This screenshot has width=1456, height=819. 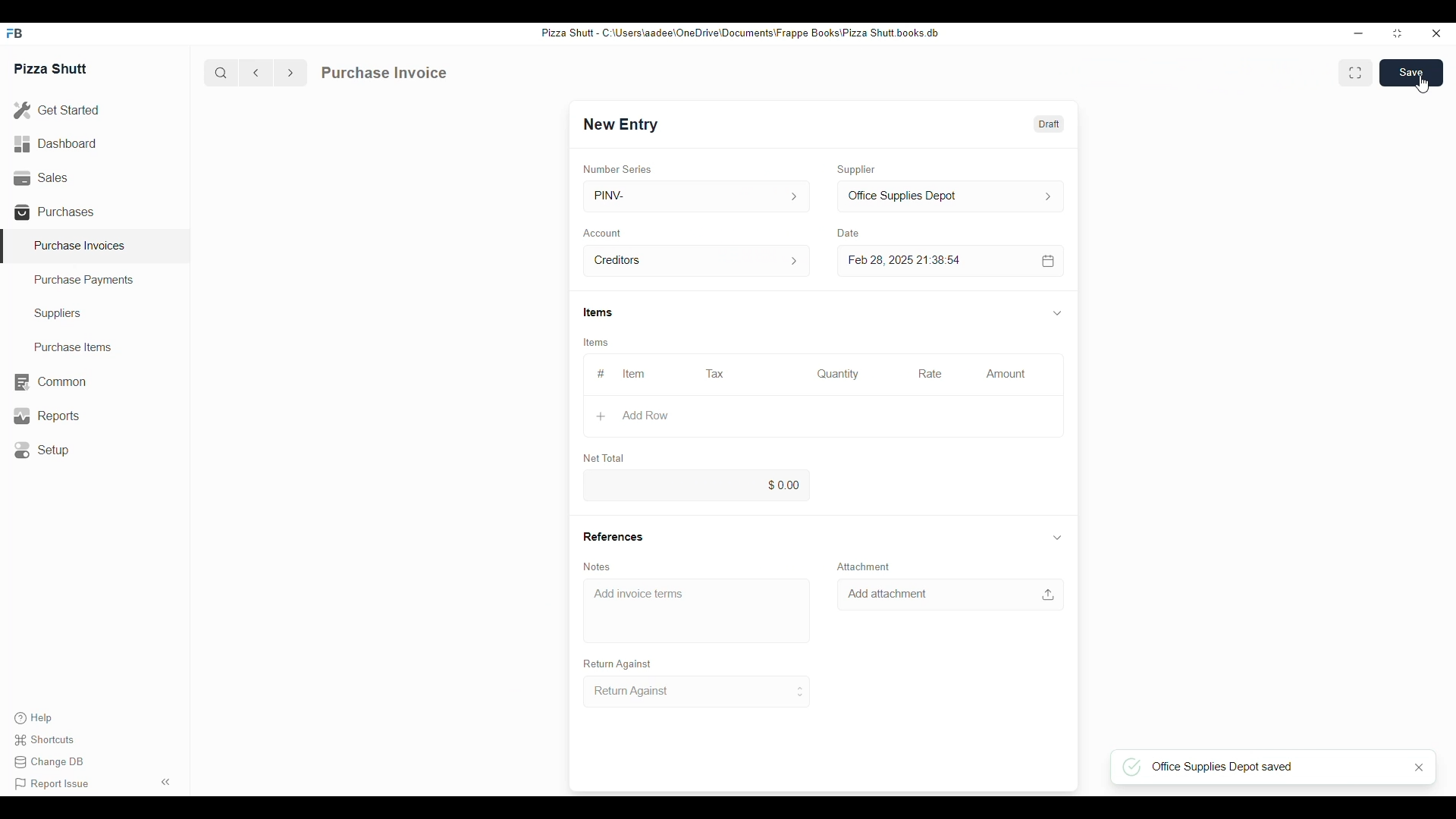 I want to click on Number Series, so click(x=617, y=168).